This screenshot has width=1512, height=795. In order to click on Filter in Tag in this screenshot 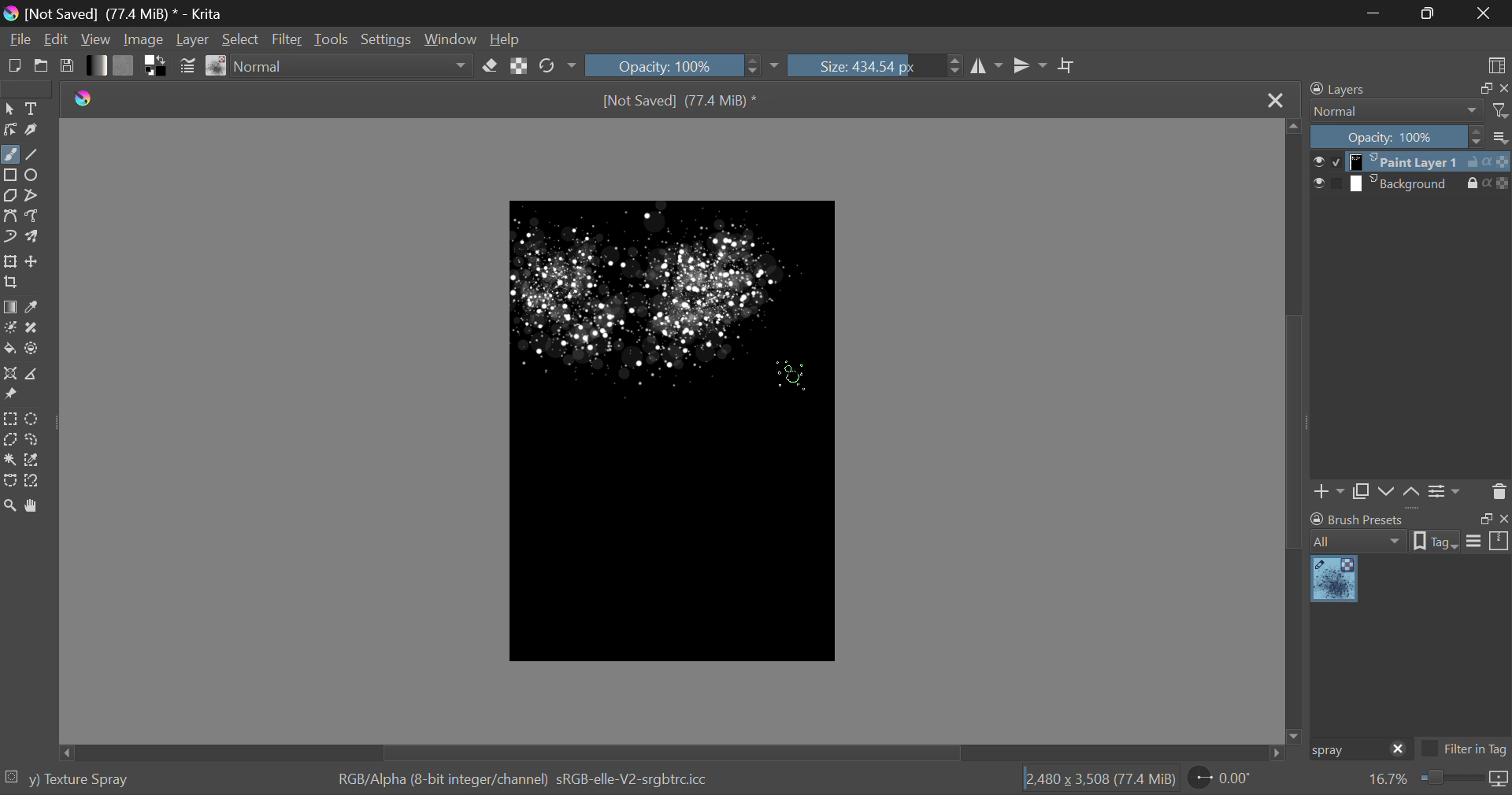, I will do `click(1465, 751)`.